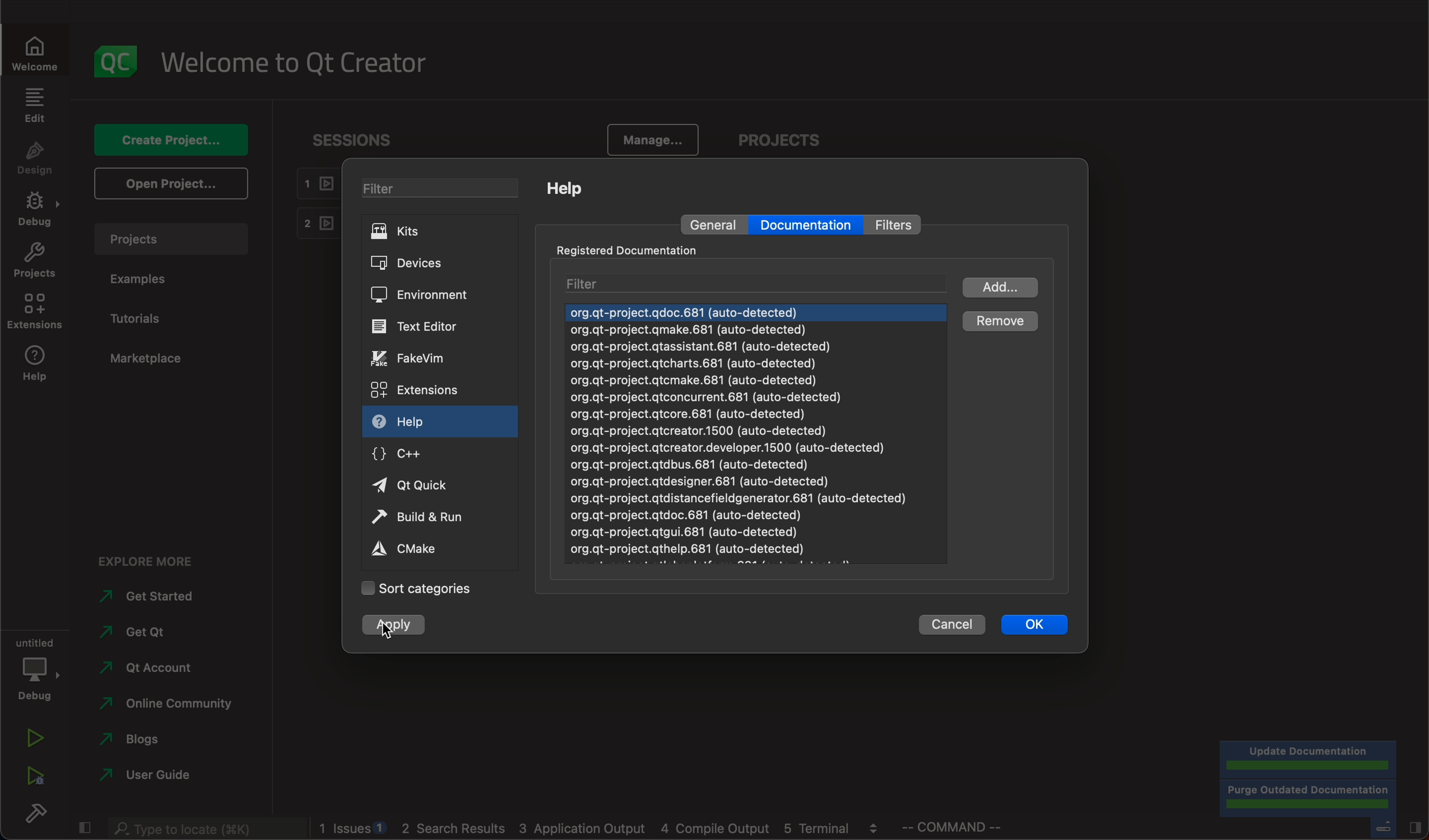 This screenshot has width=1429, height=840. Describe the element at coordinates (412, 422) in the screenshot. I see `help` at that location.